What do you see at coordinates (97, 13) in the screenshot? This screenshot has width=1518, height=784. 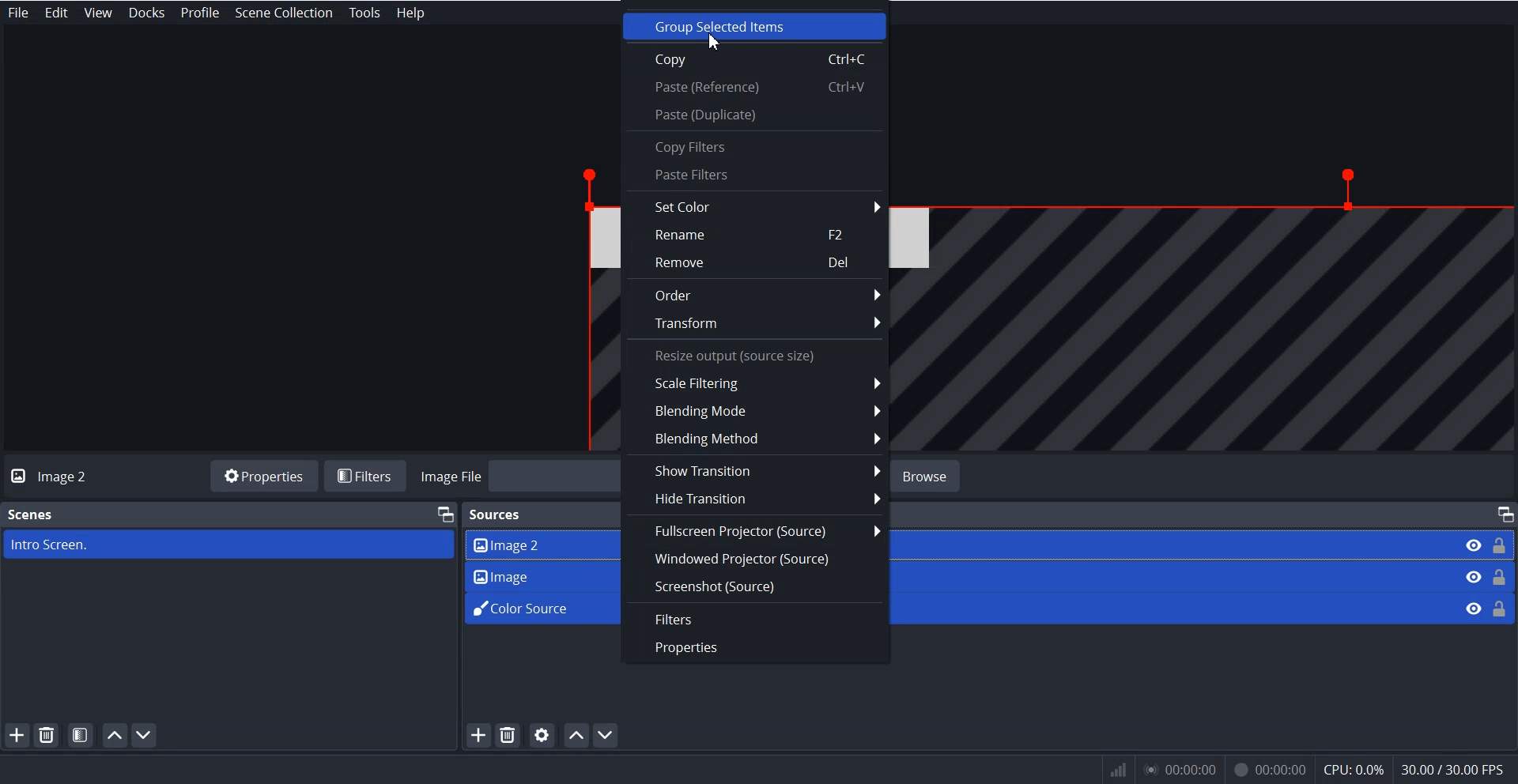 I see `View` at bounding box center [97, 13].